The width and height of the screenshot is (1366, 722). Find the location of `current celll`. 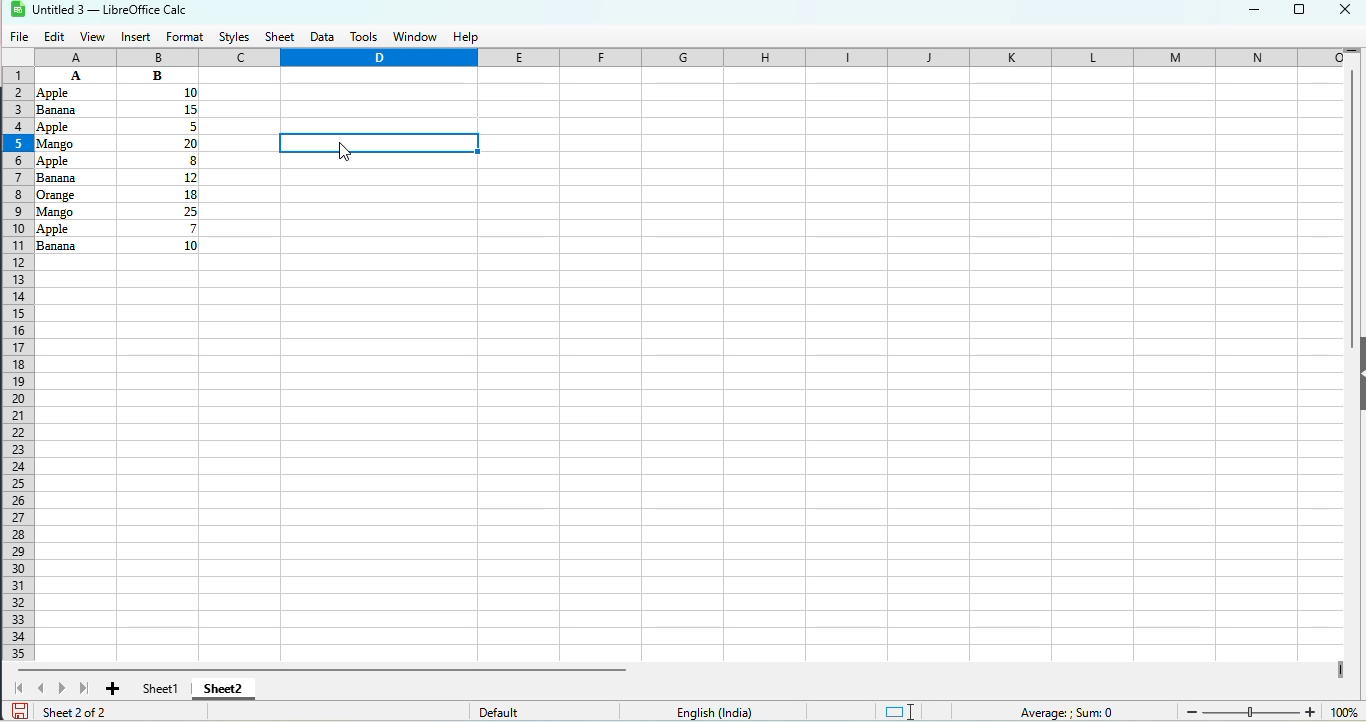

current celll is located at coordinates (379, 92).